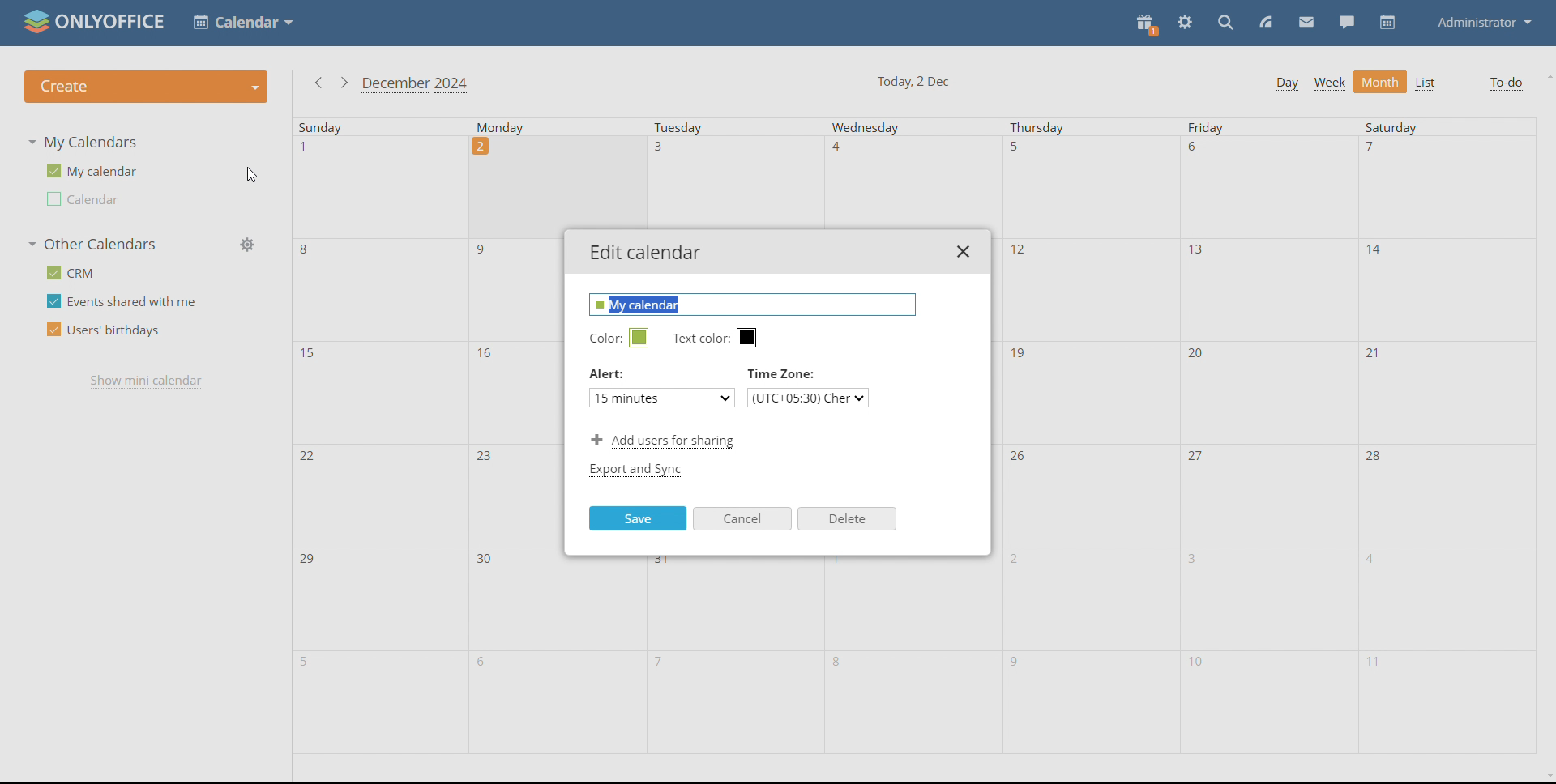  I want to click on crm, so click(72, 271).